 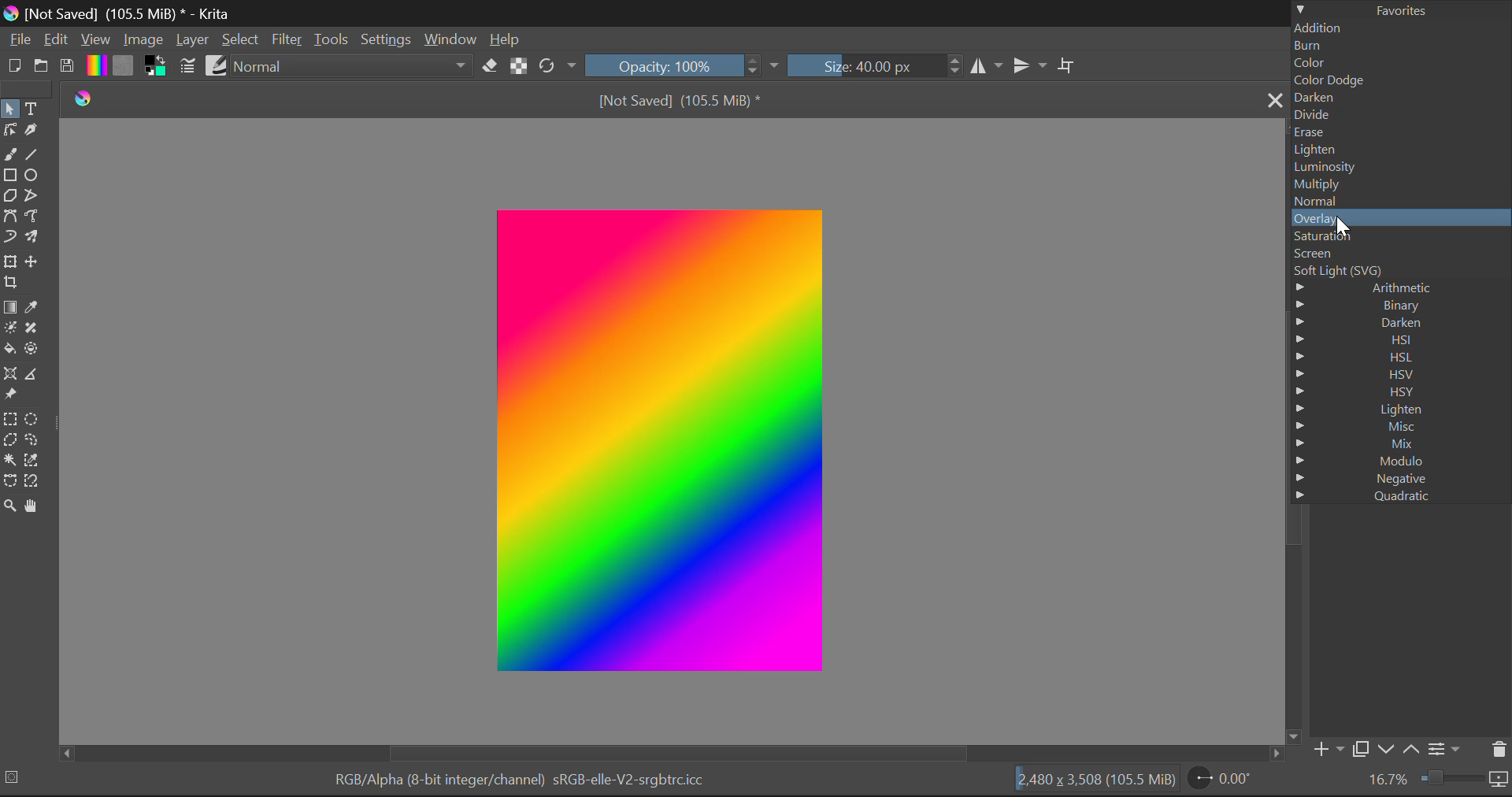 What do you see at coordinates (126, 69) in the screenshot?
I see `Pattern` at bounding box center [126, 69].